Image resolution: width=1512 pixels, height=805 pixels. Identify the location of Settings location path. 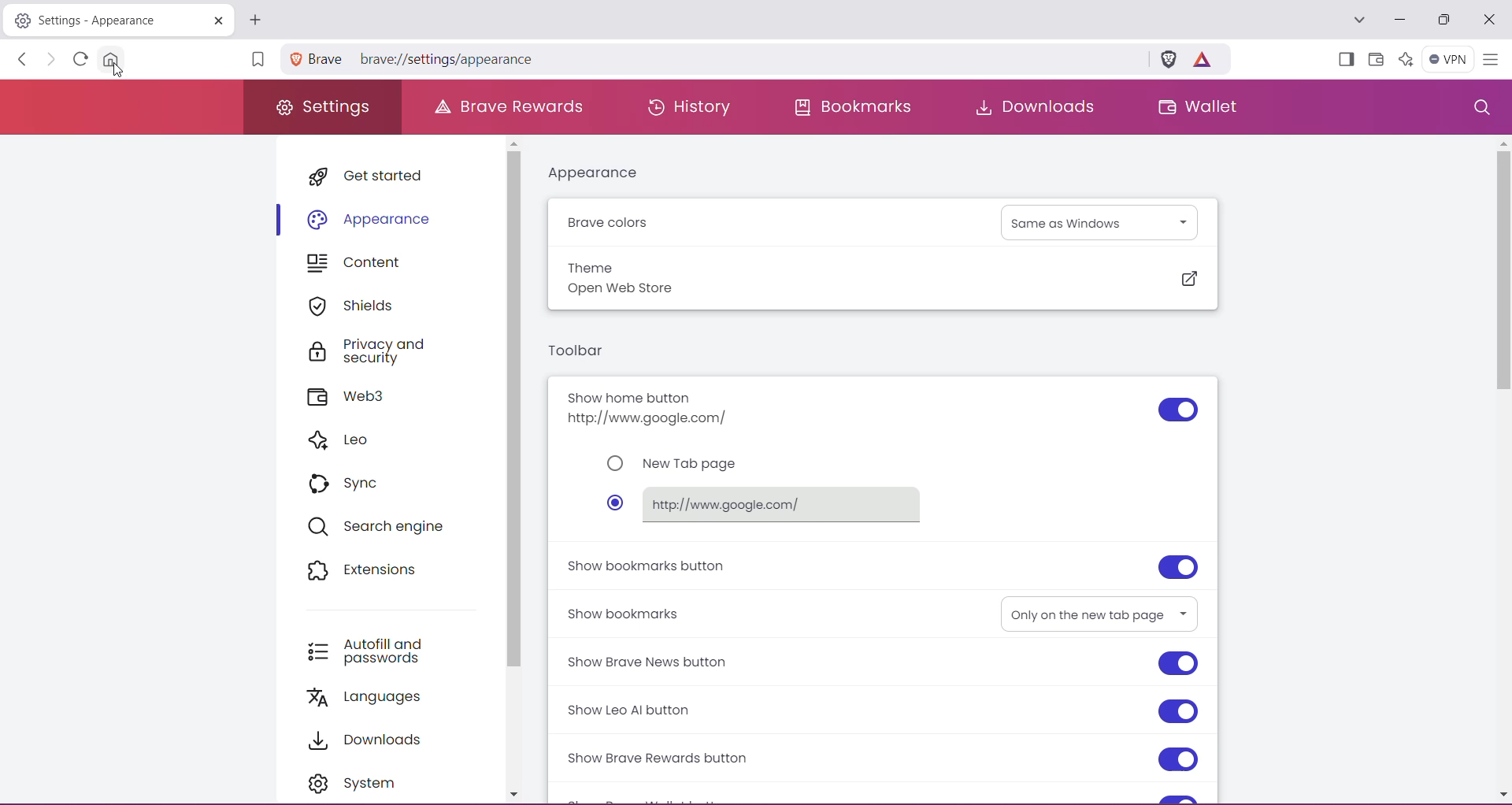
(424, 61).